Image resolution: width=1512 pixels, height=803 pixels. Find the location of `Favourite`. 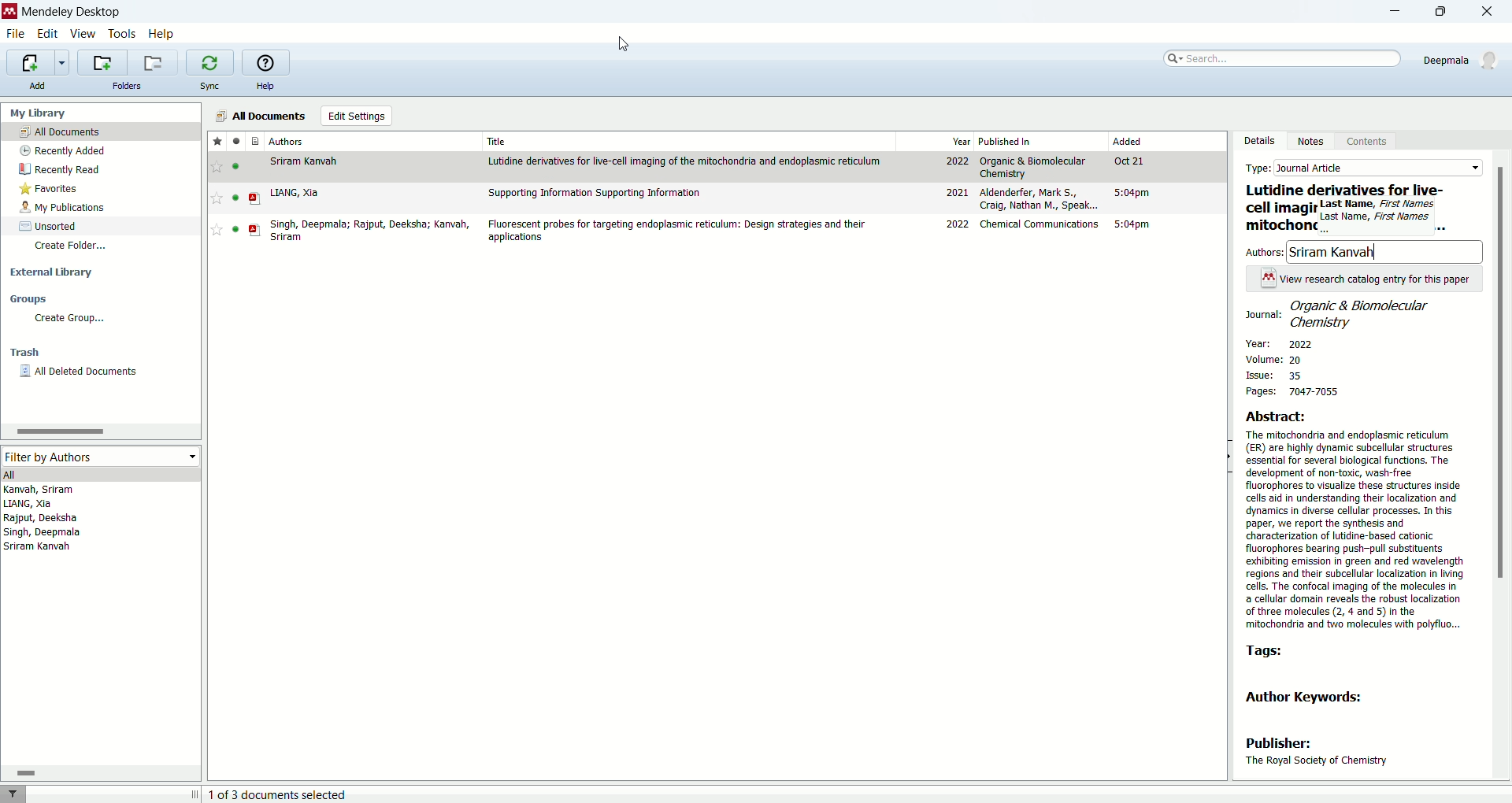

Favourite is located at coordinates (215, 230).